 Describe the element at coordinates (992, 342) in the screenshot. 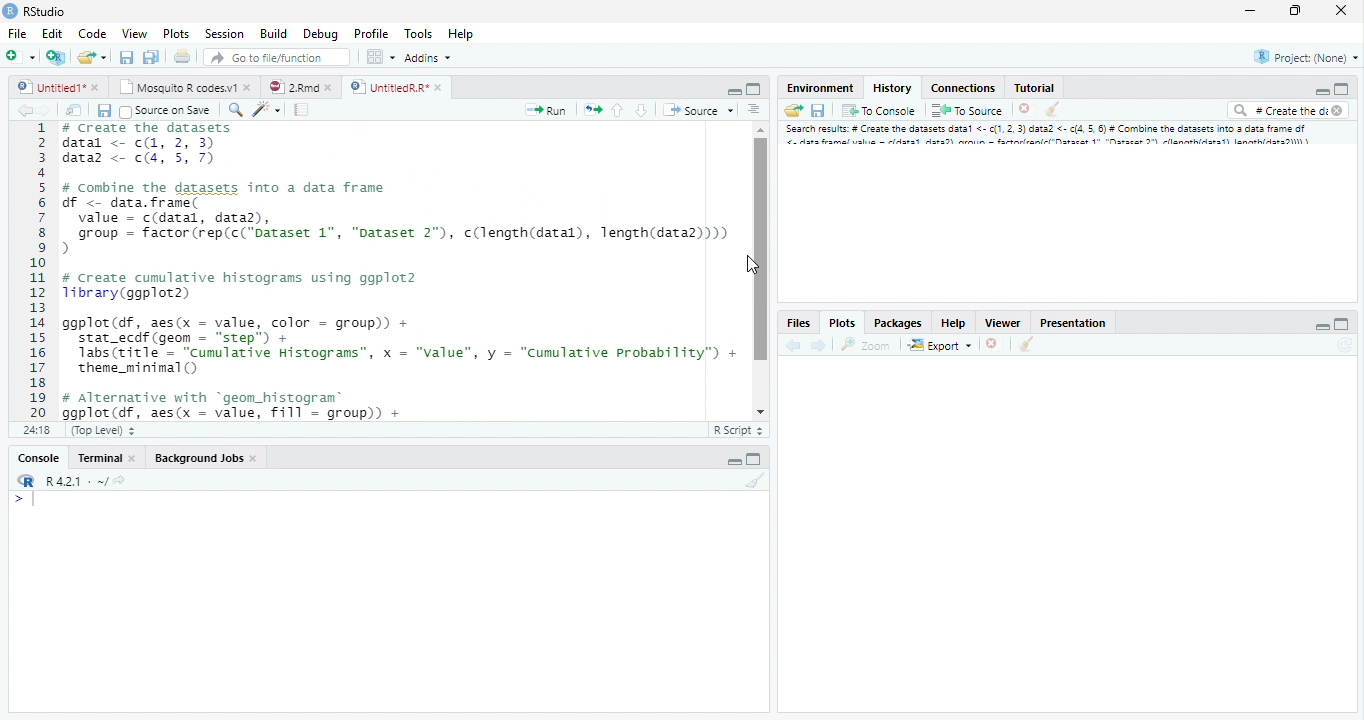

I see `Delete ` at that location.